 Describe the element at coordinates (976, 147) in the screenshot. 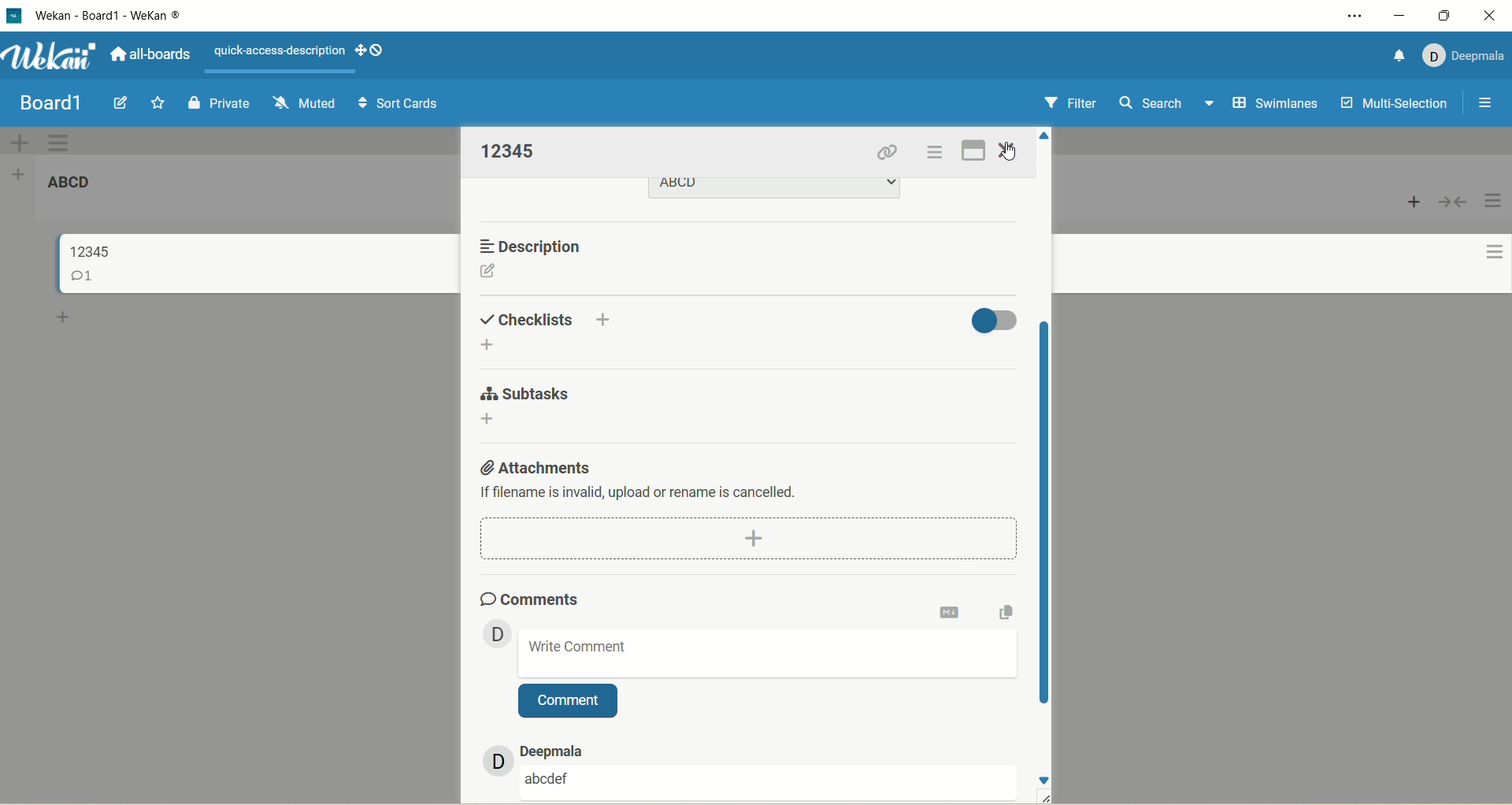

I see `full screen` at that location.